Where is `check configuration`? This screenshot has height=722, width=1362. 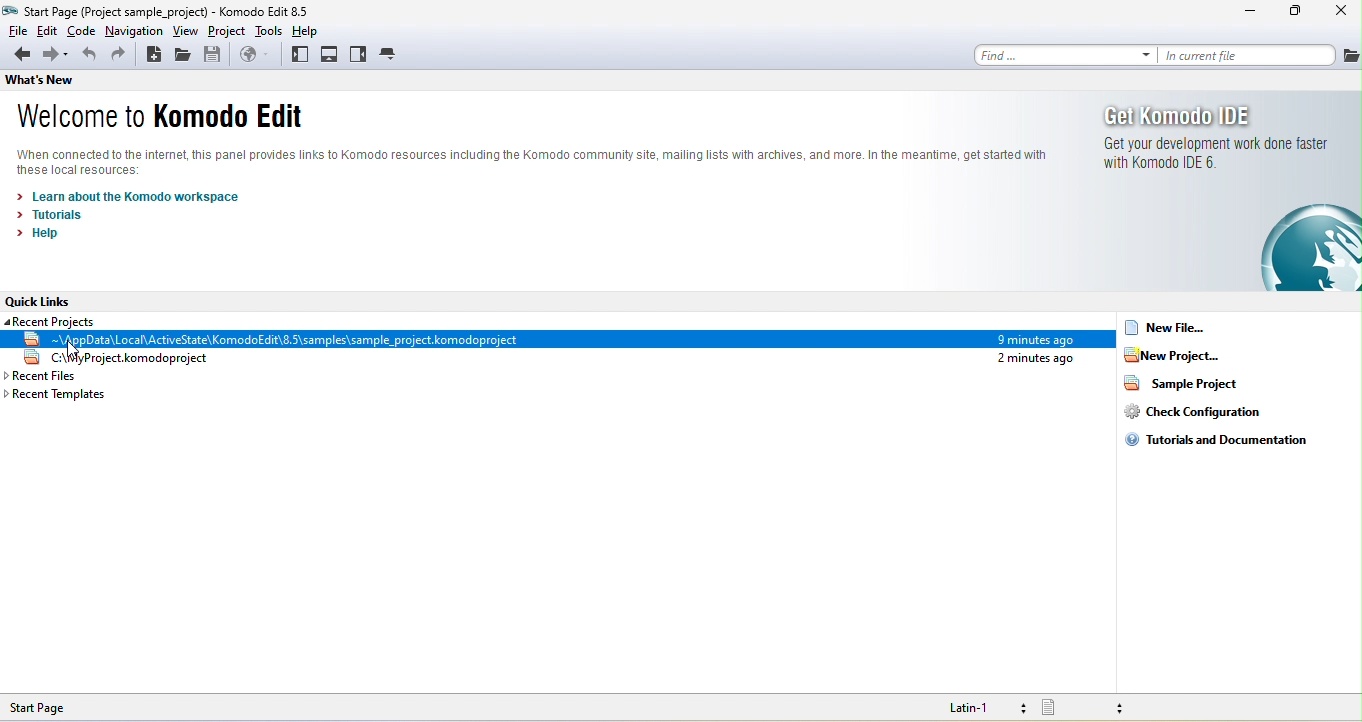
check configuration is located at coordinates (1207, 417).